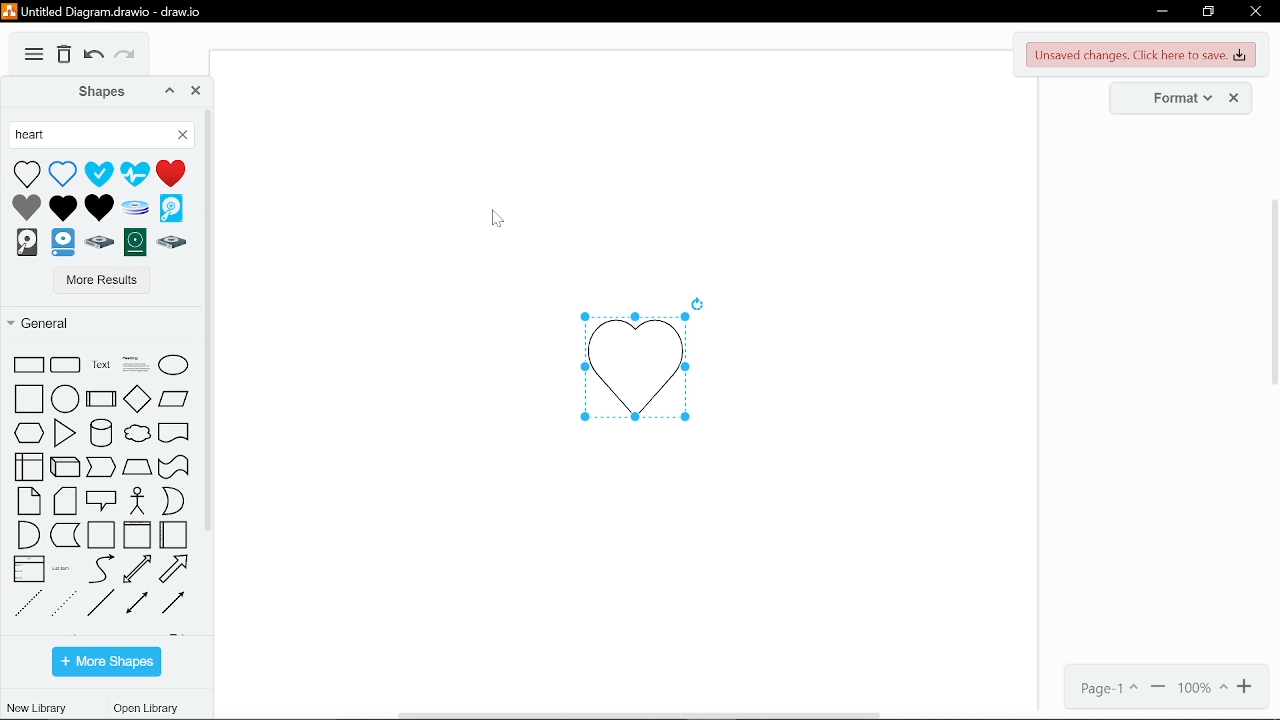 Image resolution: width=1280 pixels, height=720 pixels. Describe the element at coordinates (101, 603) in the screenshot. I see `line` at that location.